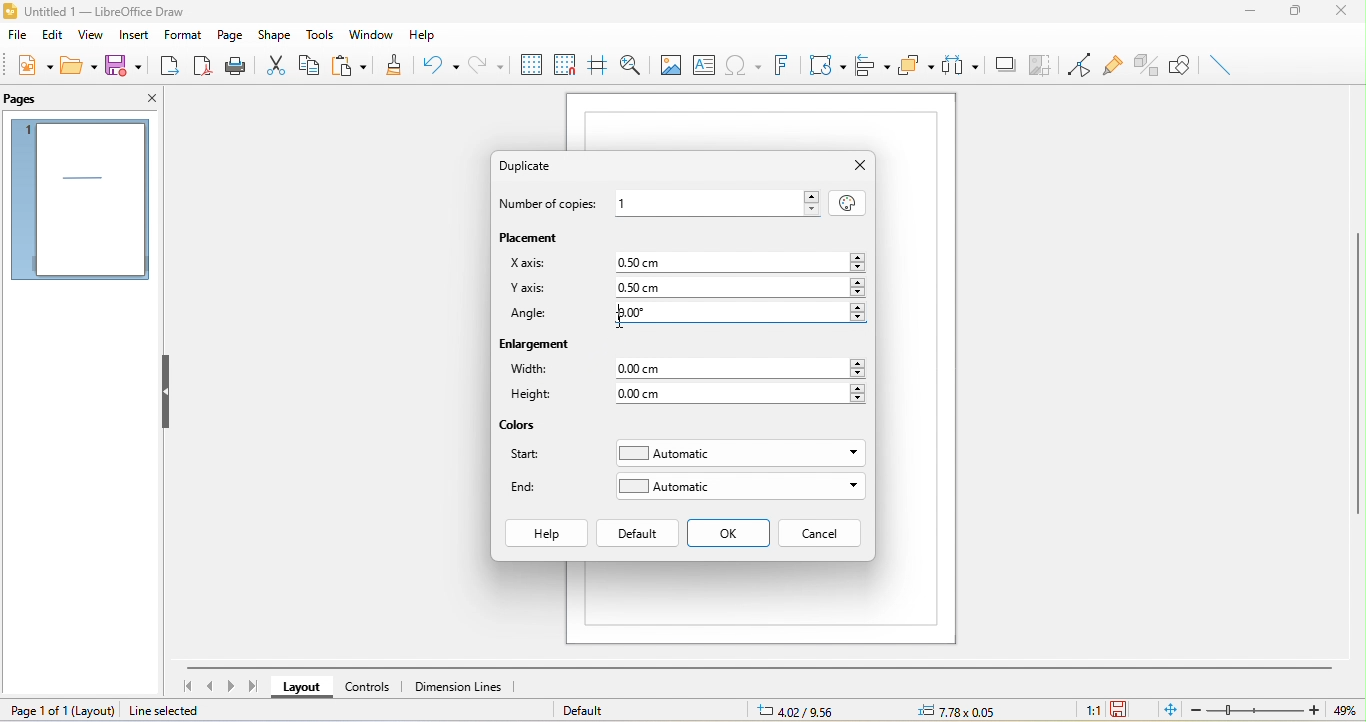 The width and height of the screenshot is (1366, 722). I want to click on the document has not been modified since the last save, so click(1122, 710).